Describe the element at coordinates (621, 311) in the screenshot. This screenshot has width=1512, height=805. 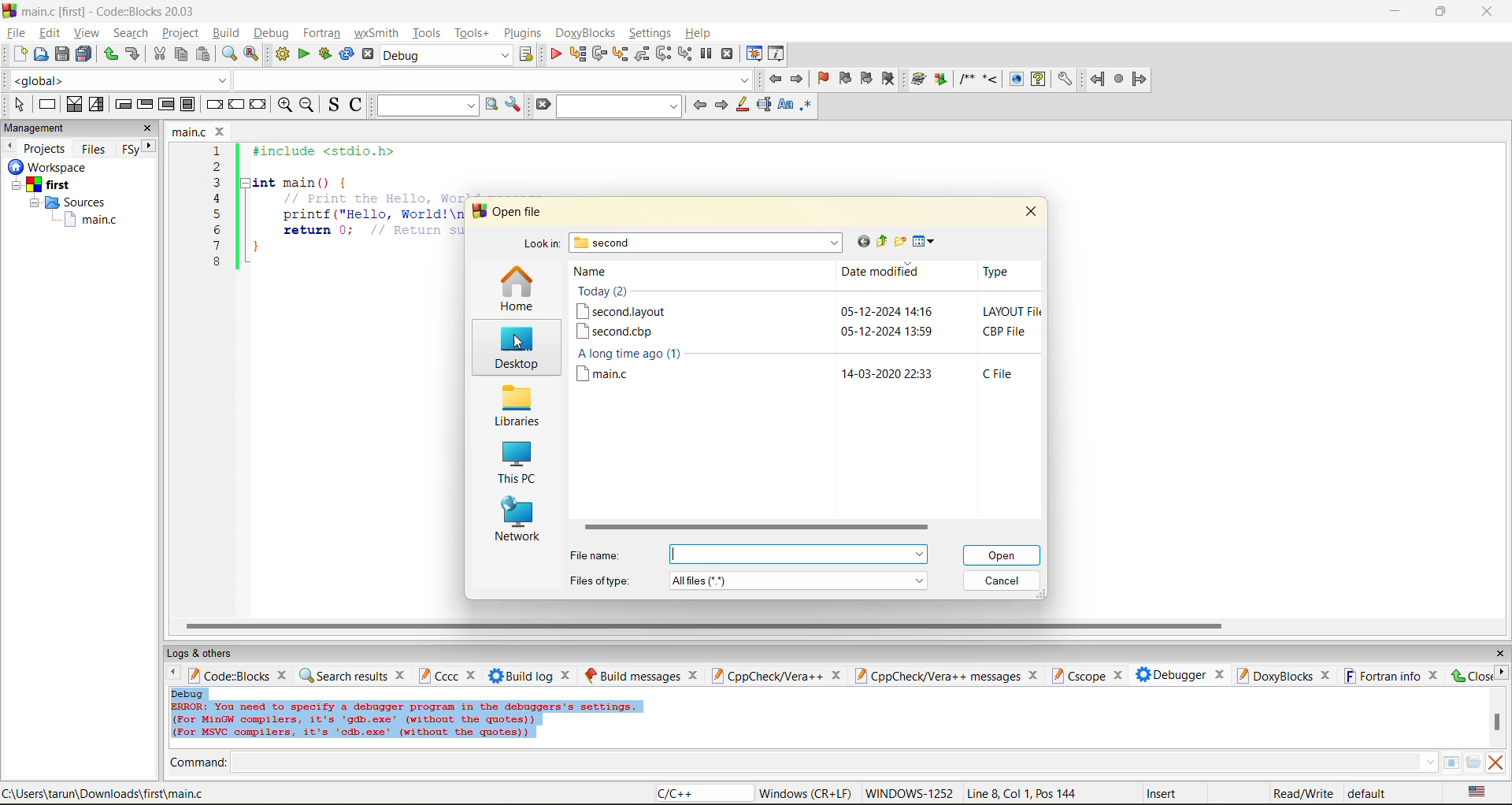
I see `second.layout file` at that location.